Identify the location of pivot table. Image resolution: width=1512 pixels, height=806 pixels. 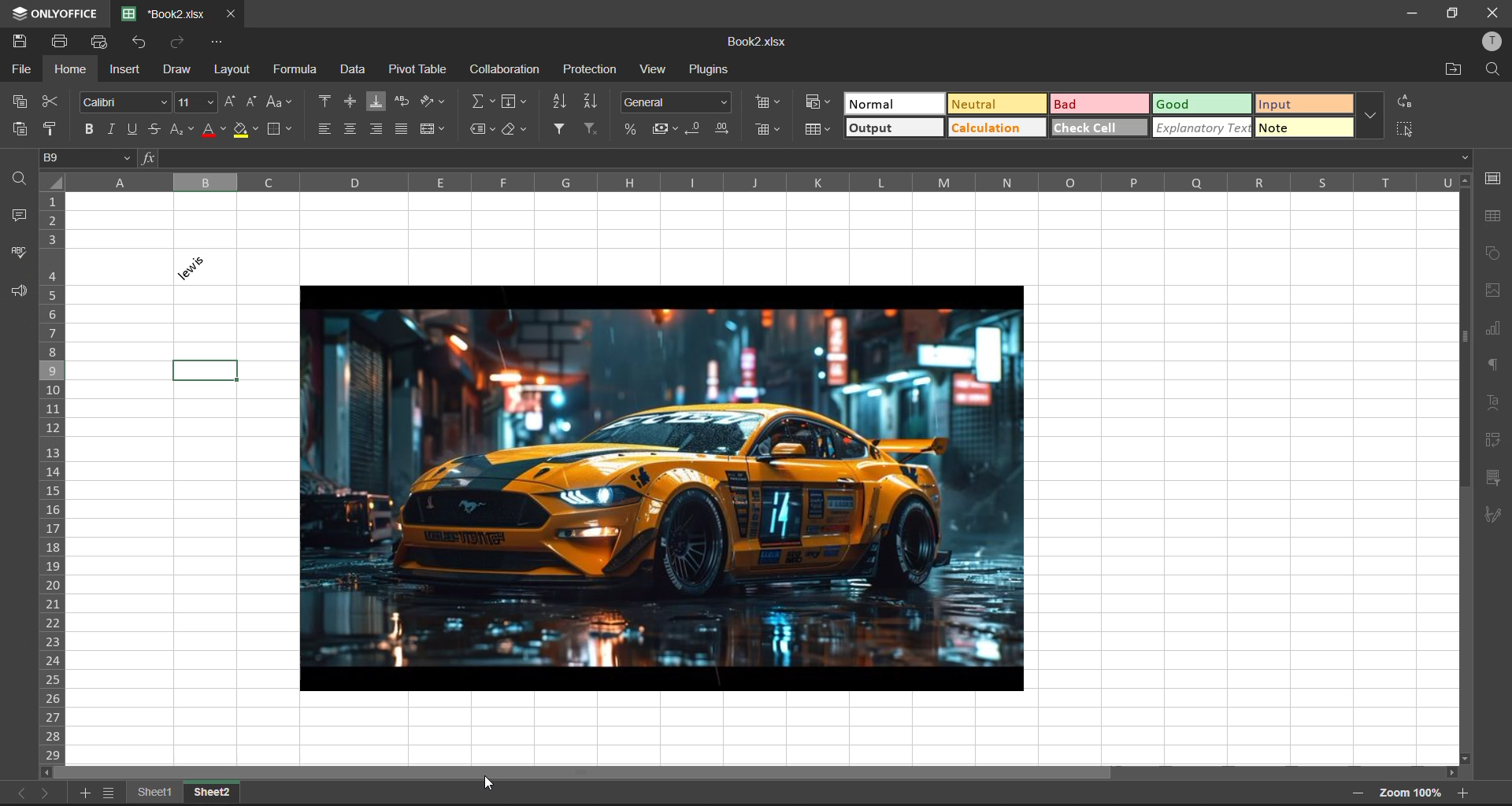
(1497, 441).